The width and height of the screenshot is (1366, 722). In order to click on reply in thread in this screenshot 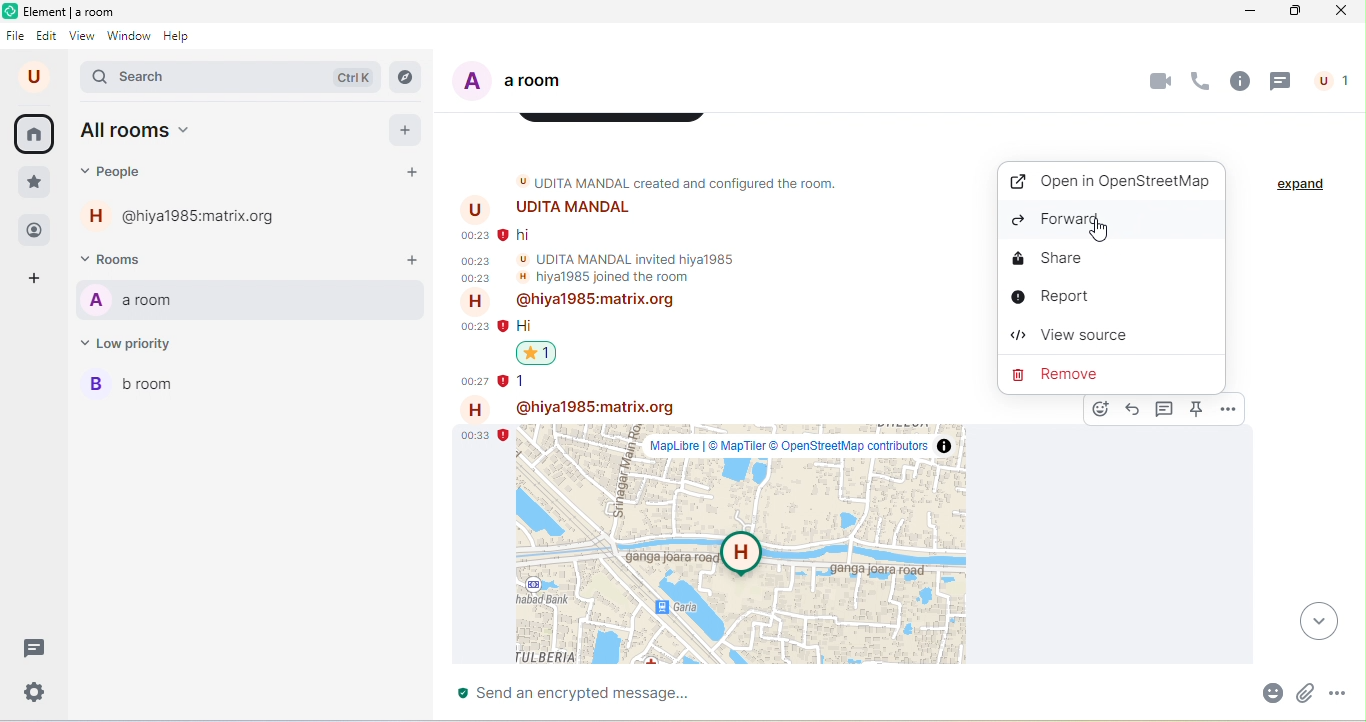, I will do `click(1166, 409)`.